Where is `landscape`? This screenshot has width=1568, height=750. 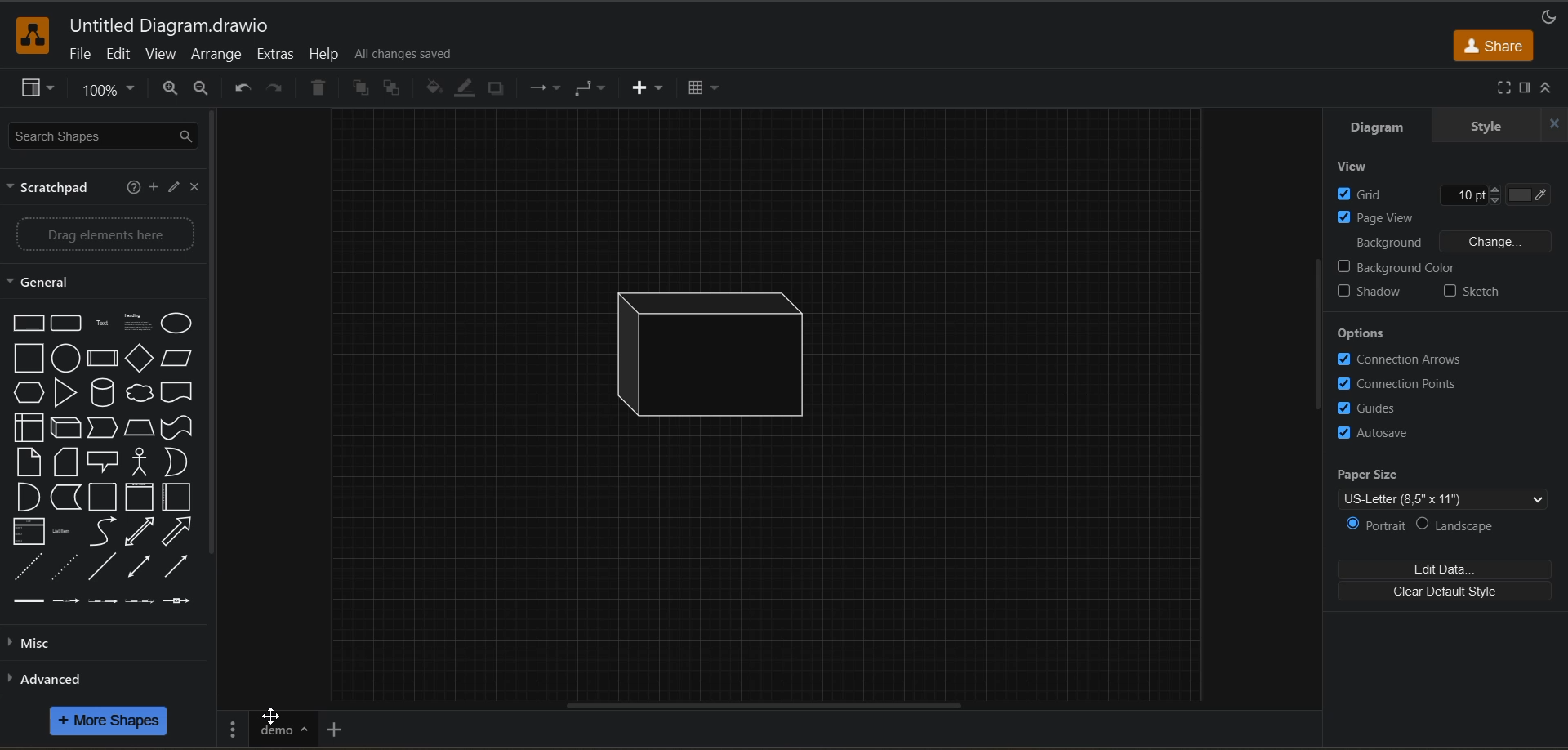 landscape is located at coordinates (1468, 527).